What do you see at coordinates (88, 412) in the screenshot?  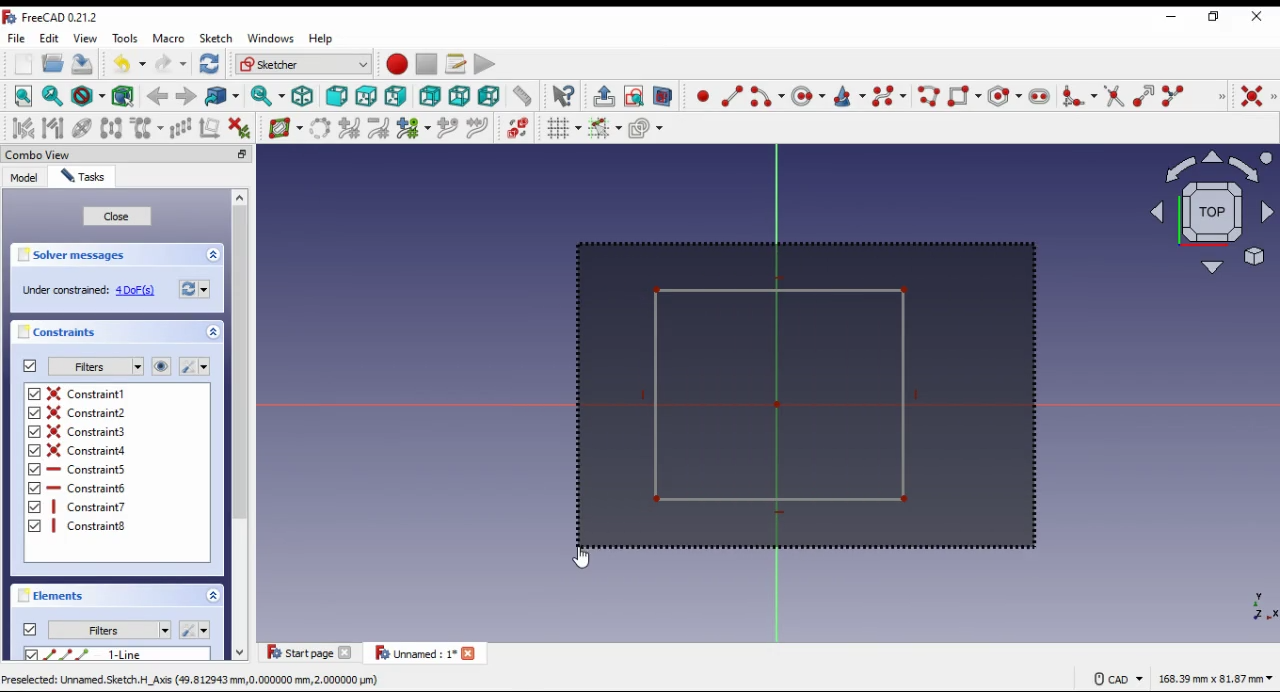 I see `on/off constraint 2` at bounding box center [88, 412].